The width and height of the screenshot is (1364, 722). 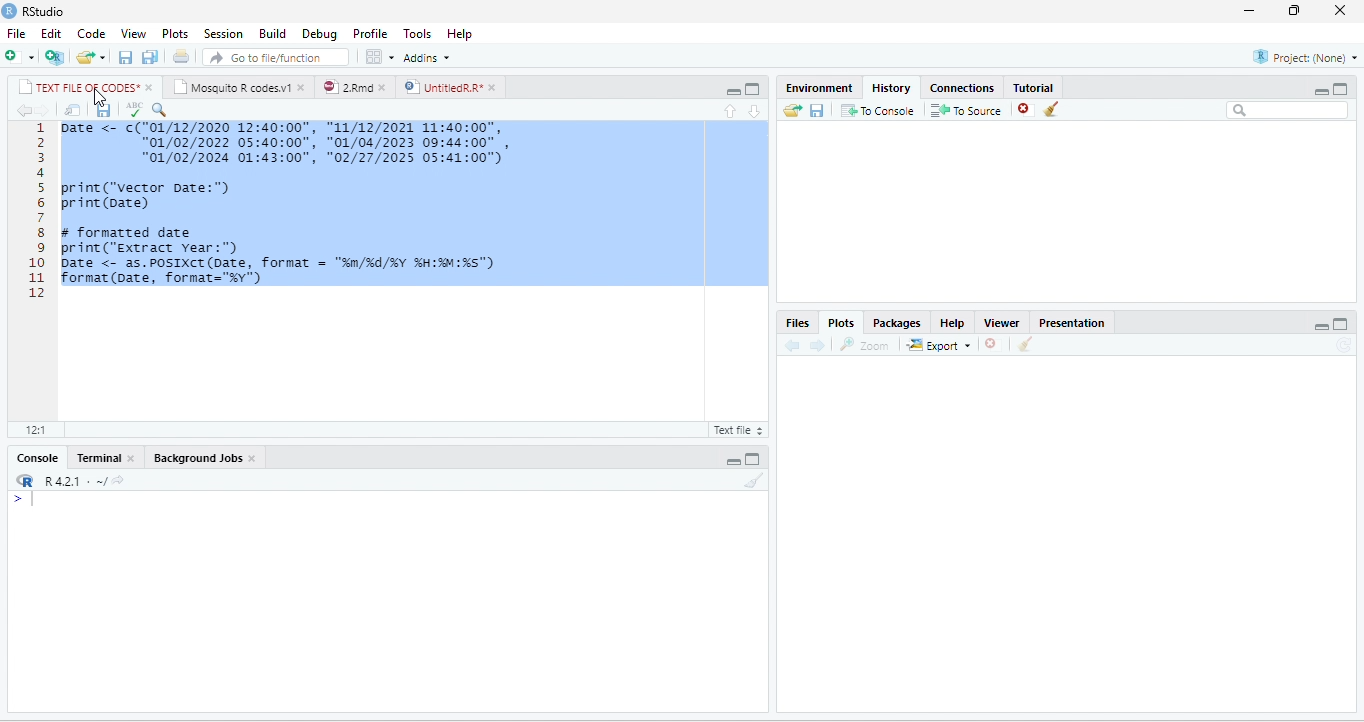 What do you see at coordinates (1034, 88) in the screenshot?
I see `Tutorial` at bounding box center [1034, 88].